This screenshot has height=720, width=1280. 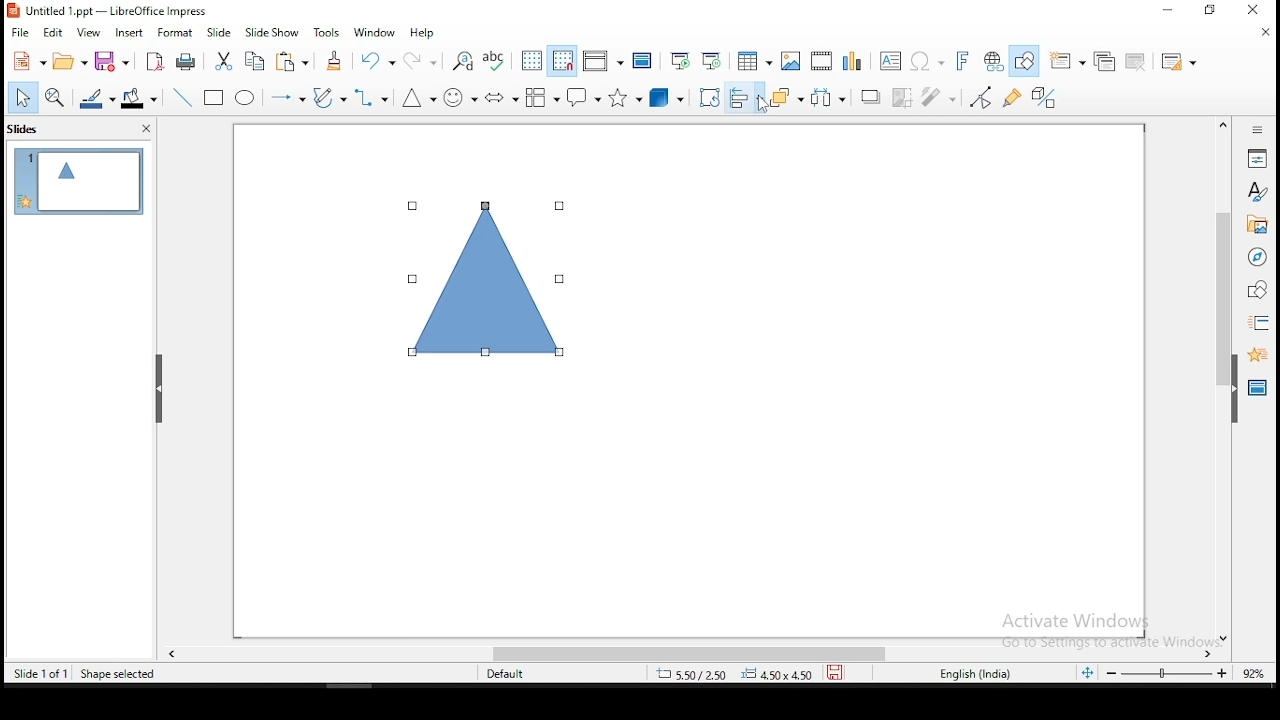 What do you see at coordinates (272, 32) in the screenshot?
I see `slide show` at bounding box center [272, 32].